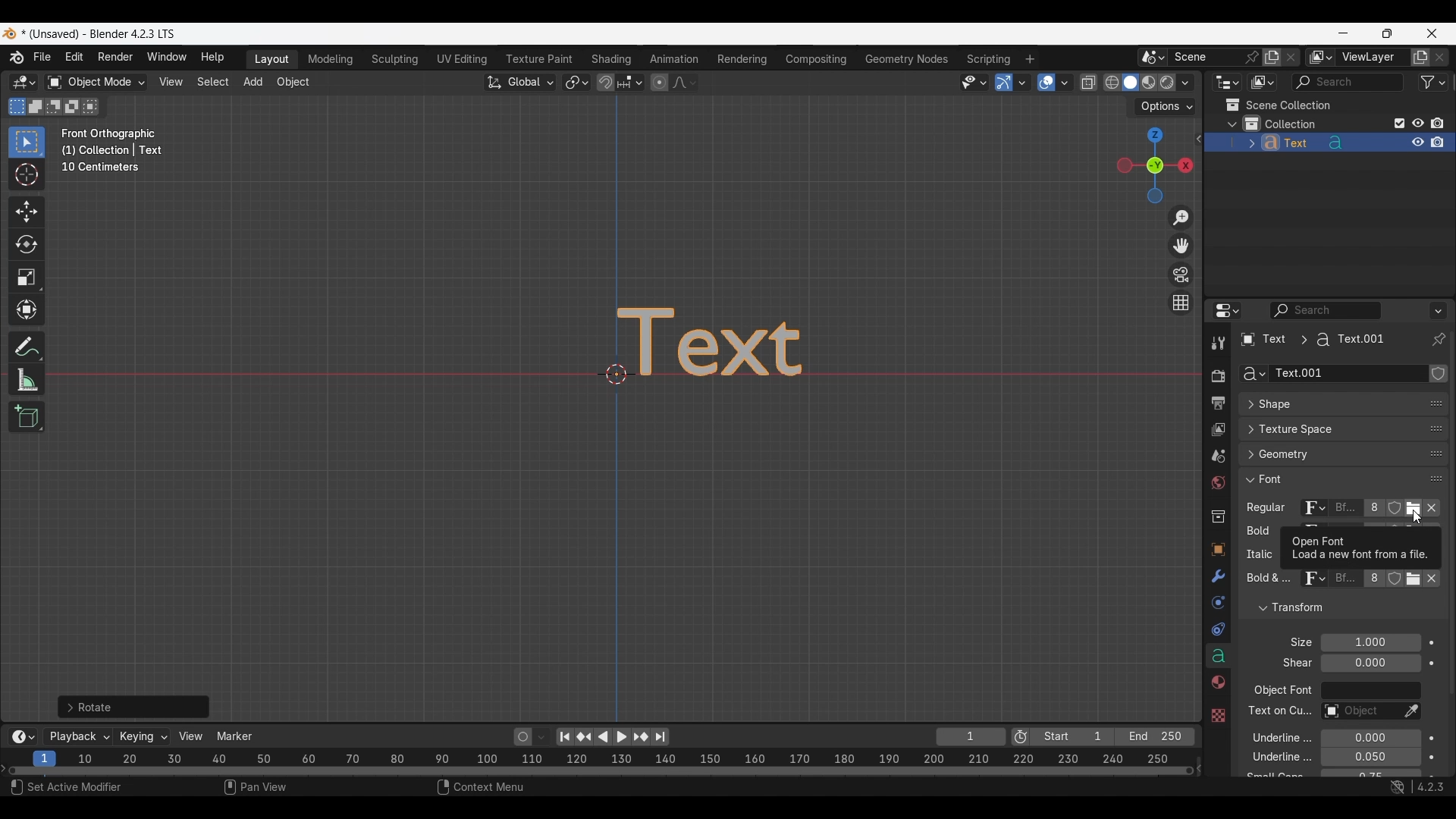  What do you see at coordinates (1326, 310) in the screenshot?
I see `Display filter` at bounding box center [1326, 310].